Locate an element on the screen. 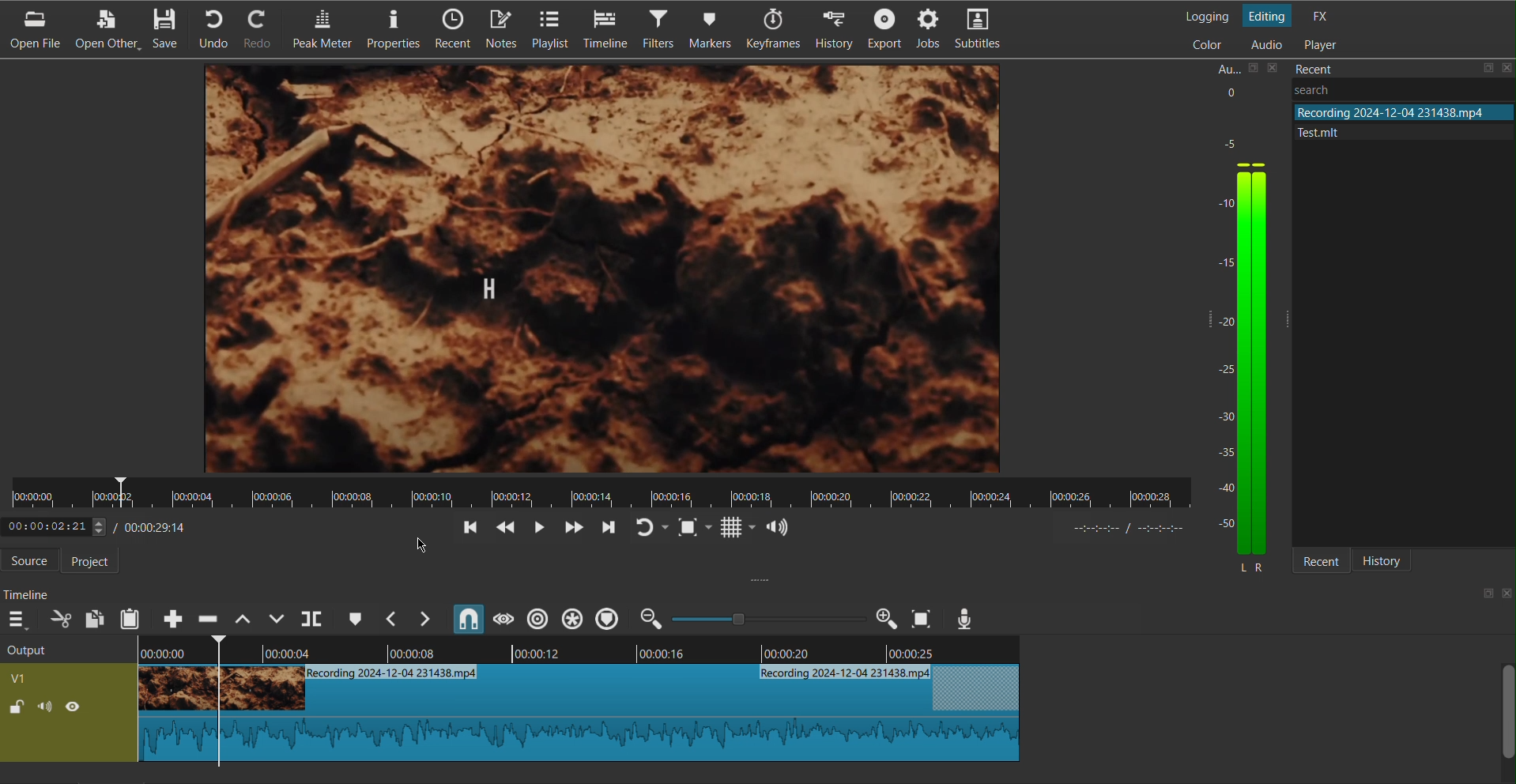  (un)hide is located at coordinates (73, 706).